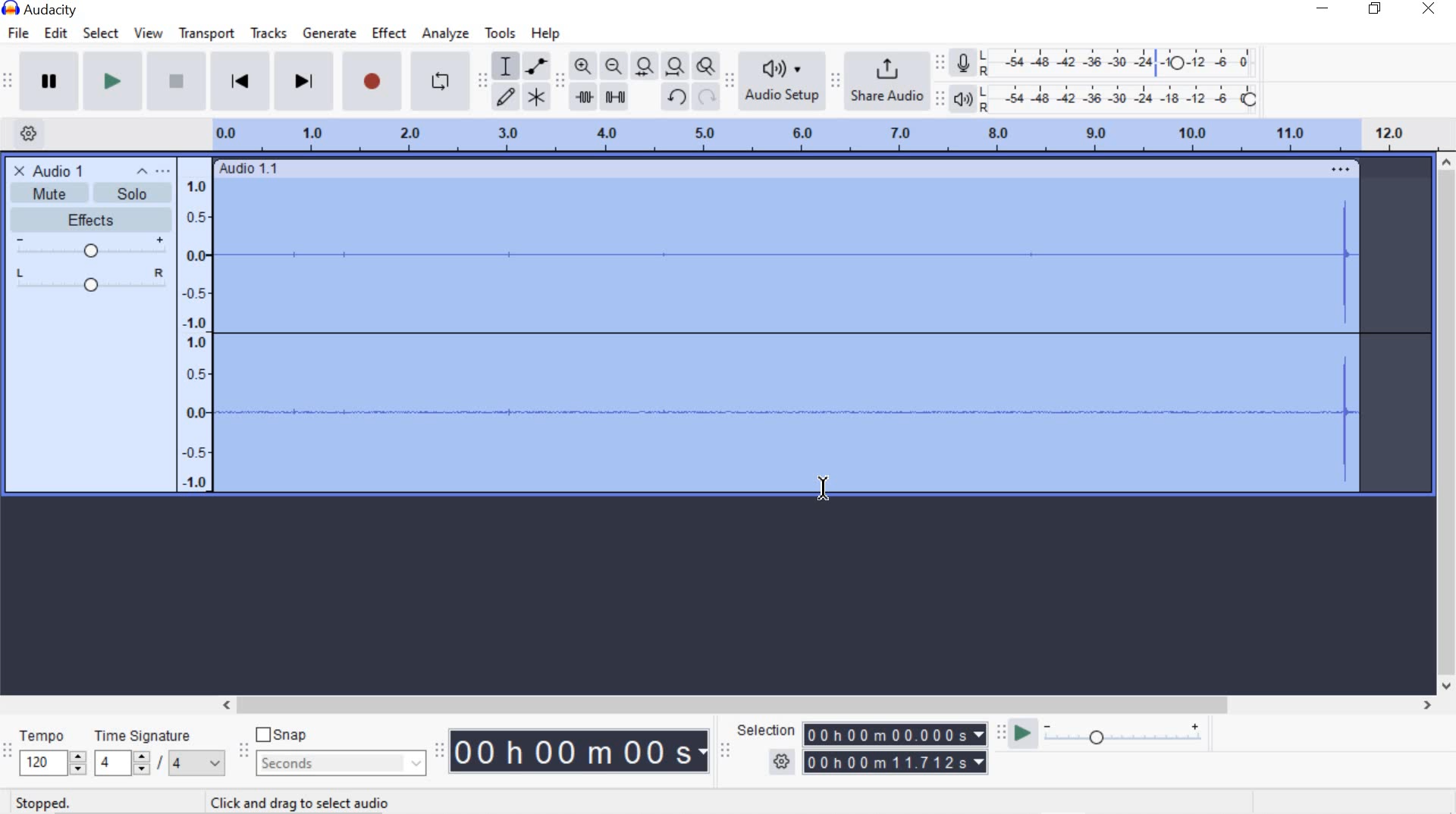 This screenshot has height=814, width=1456. I want to click on effect, so click(390, 35).